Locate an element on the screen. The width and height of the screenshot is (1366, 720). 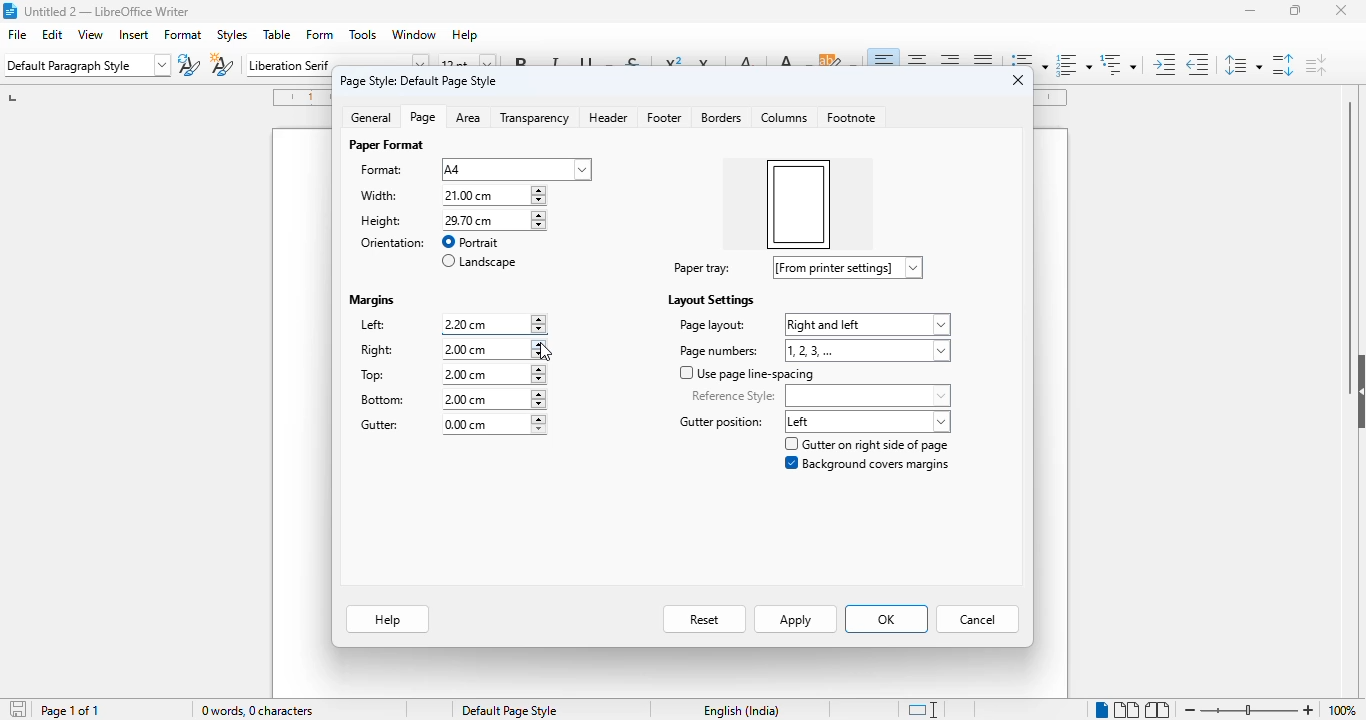
right:  is located at coordinates (377, 349).